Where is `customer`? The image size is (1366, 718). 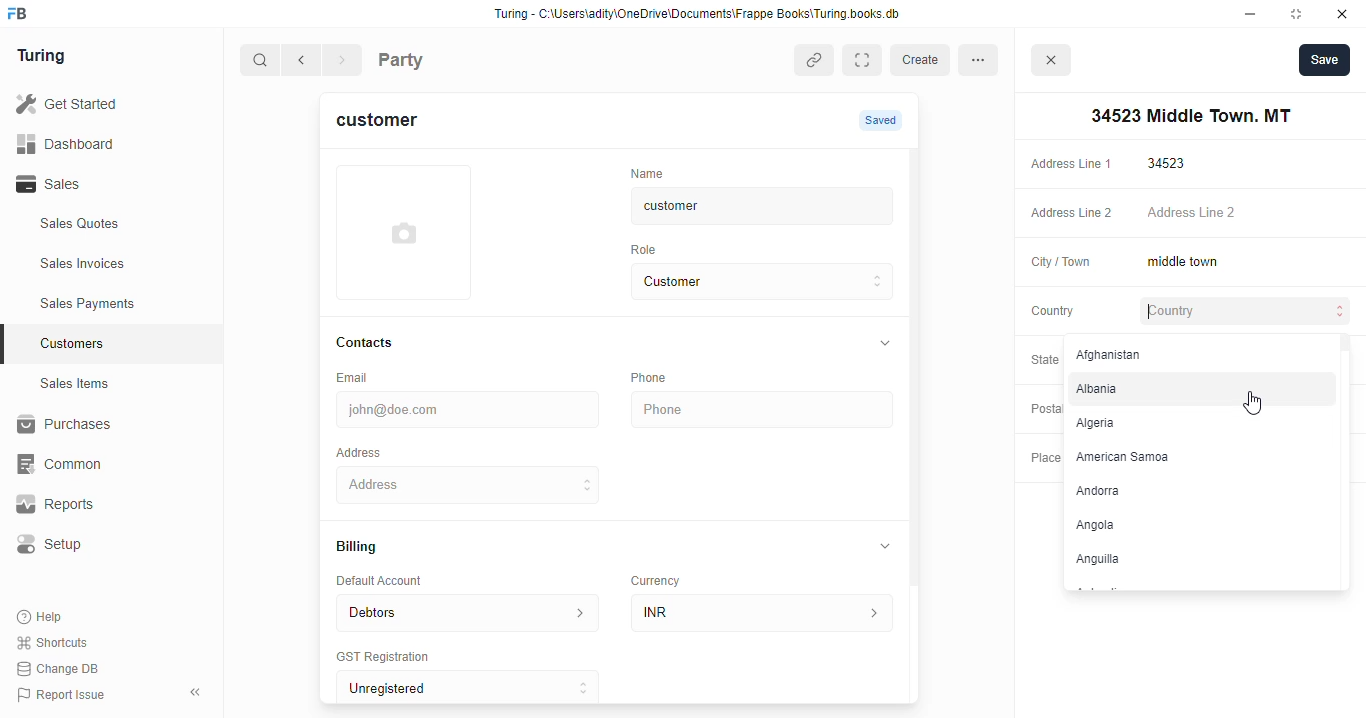
customer is located at coordinates (746, 206).